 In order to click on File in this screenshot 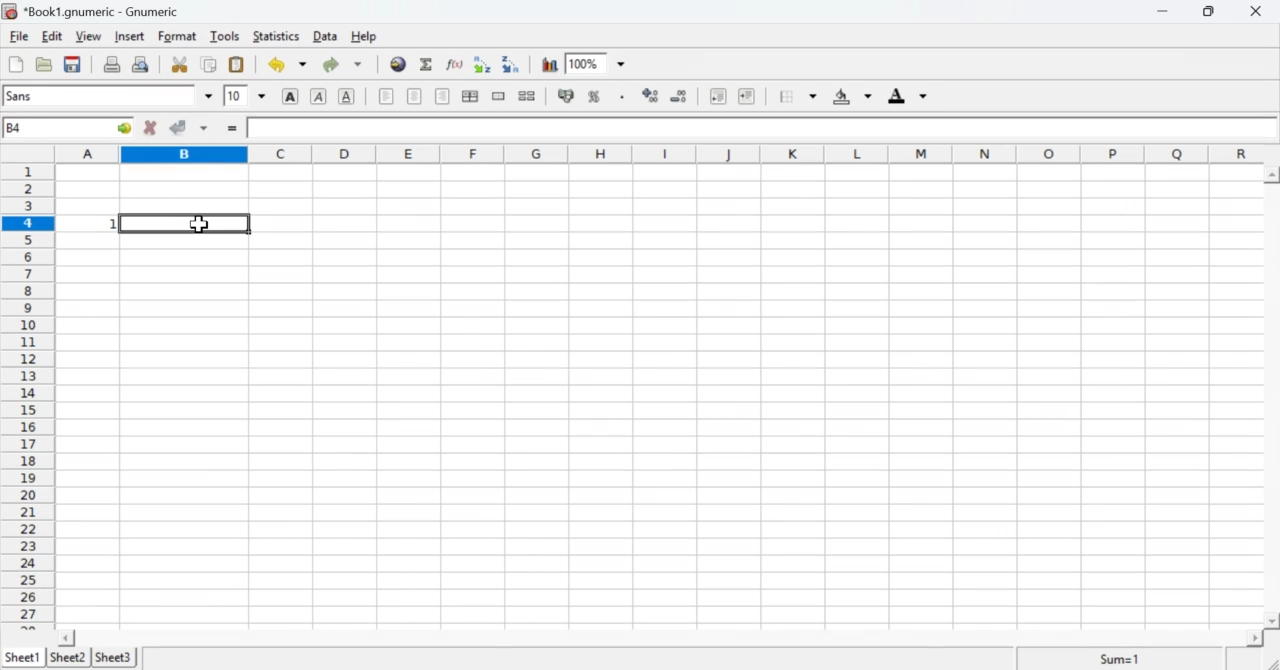, I will do `click(19, 36)`.